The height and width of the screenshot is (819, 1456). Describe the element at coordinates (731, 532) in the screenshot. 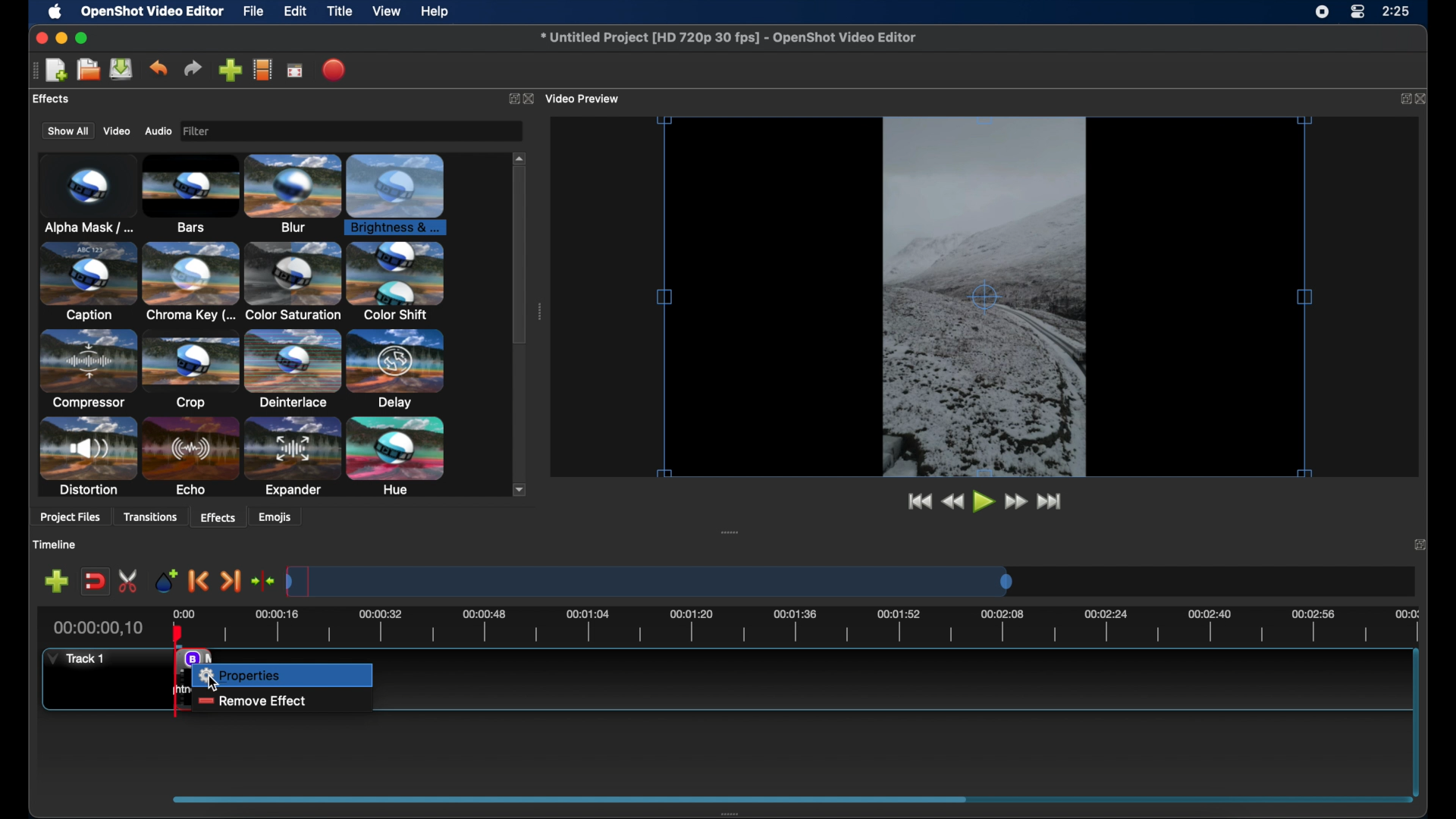

I see `drag handle` at that location.